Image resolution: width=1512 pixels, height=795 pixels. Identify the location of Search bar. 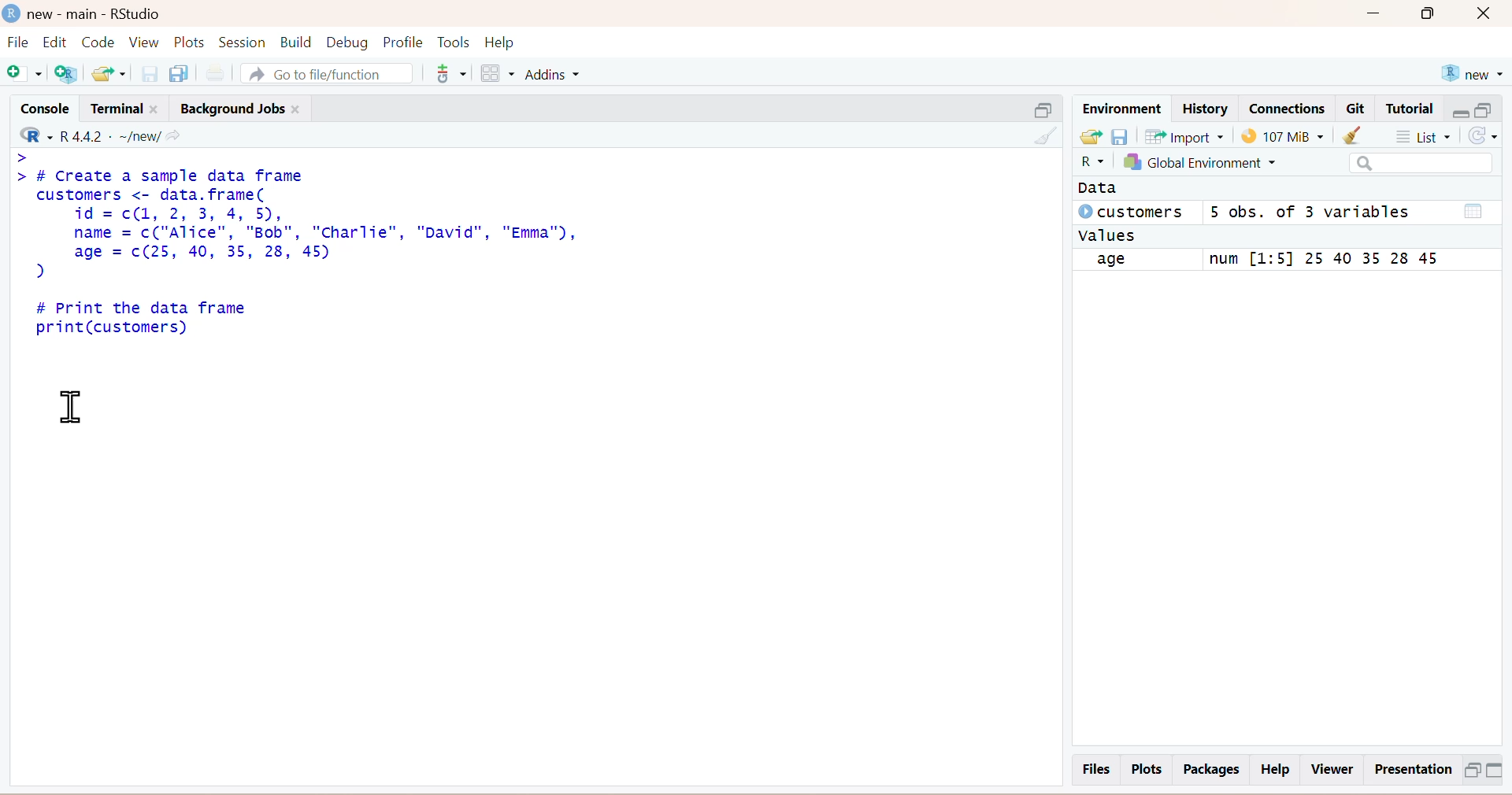
(1406, 164).